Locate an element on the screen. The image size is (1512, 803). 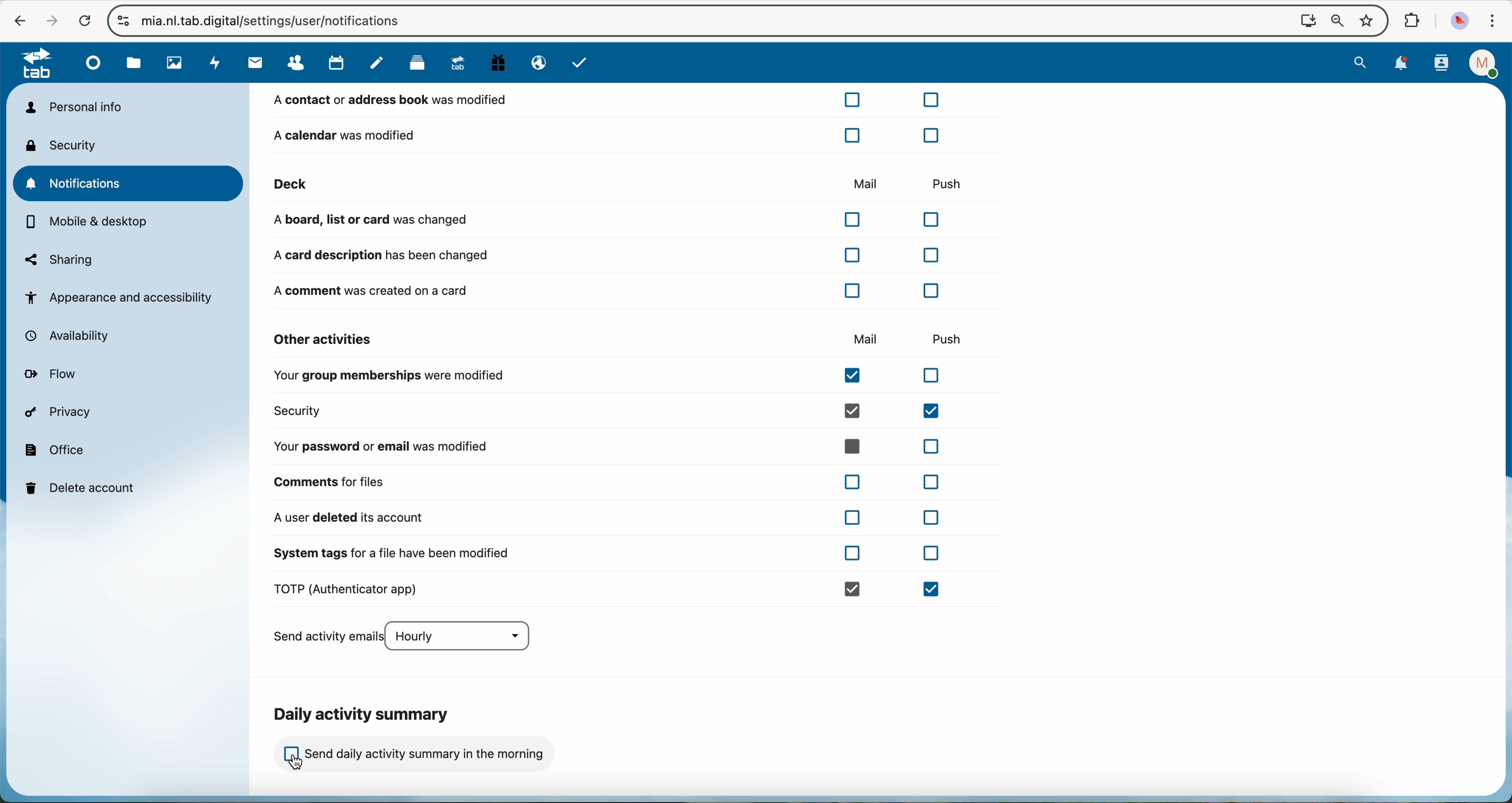
send activity emails is located at coordinates (408, 637).